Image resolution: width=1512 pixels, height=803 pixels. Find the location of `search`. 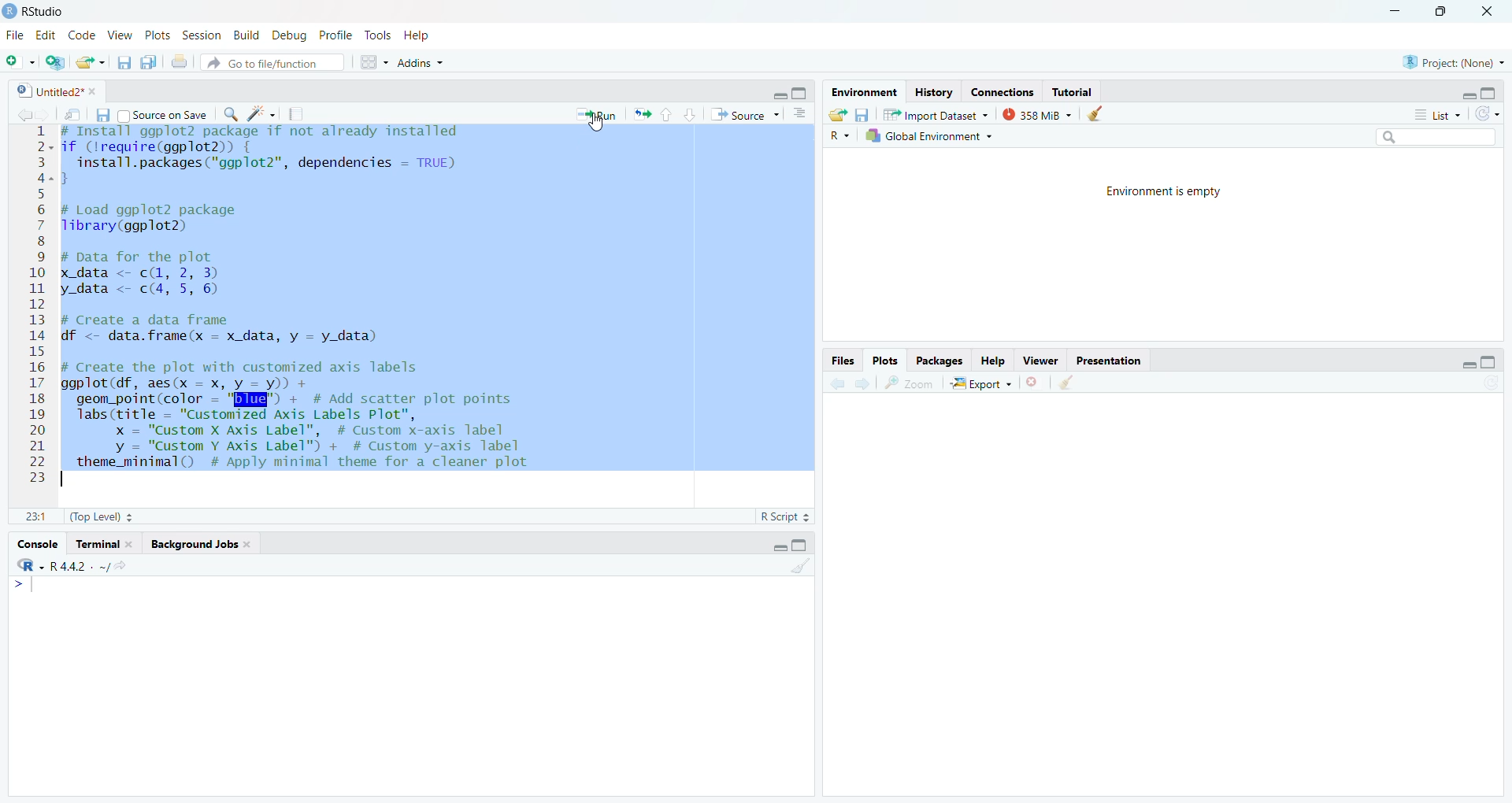

search is located at coordinates (1435, 136).